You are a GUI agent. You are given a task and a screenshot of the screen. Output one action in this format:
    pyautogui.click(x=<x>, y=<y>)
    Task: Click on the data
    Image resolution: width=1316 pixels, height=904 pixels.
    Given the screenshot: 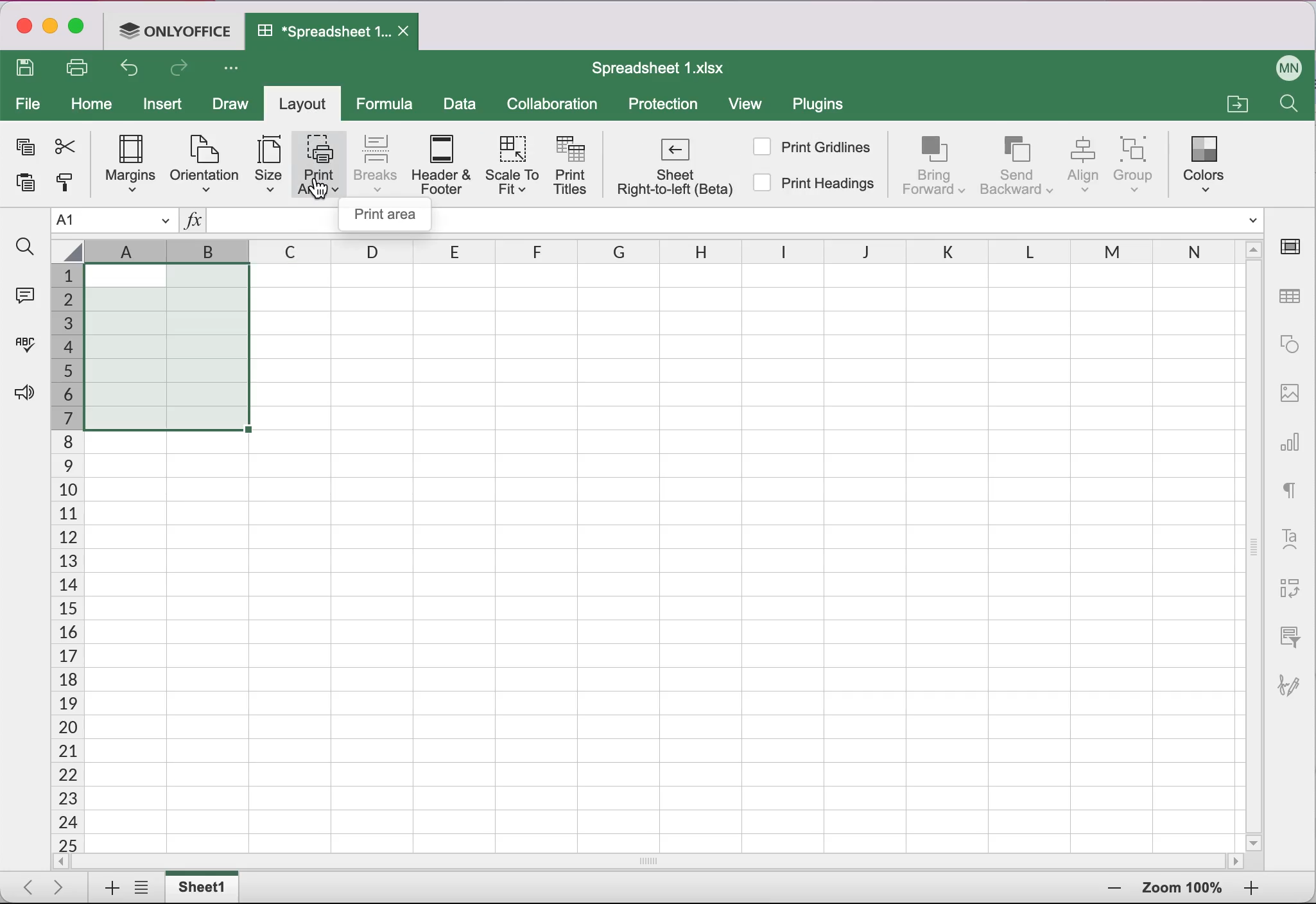 What is the action you would take?
    pyautogui.click(x=461, y=106)
    